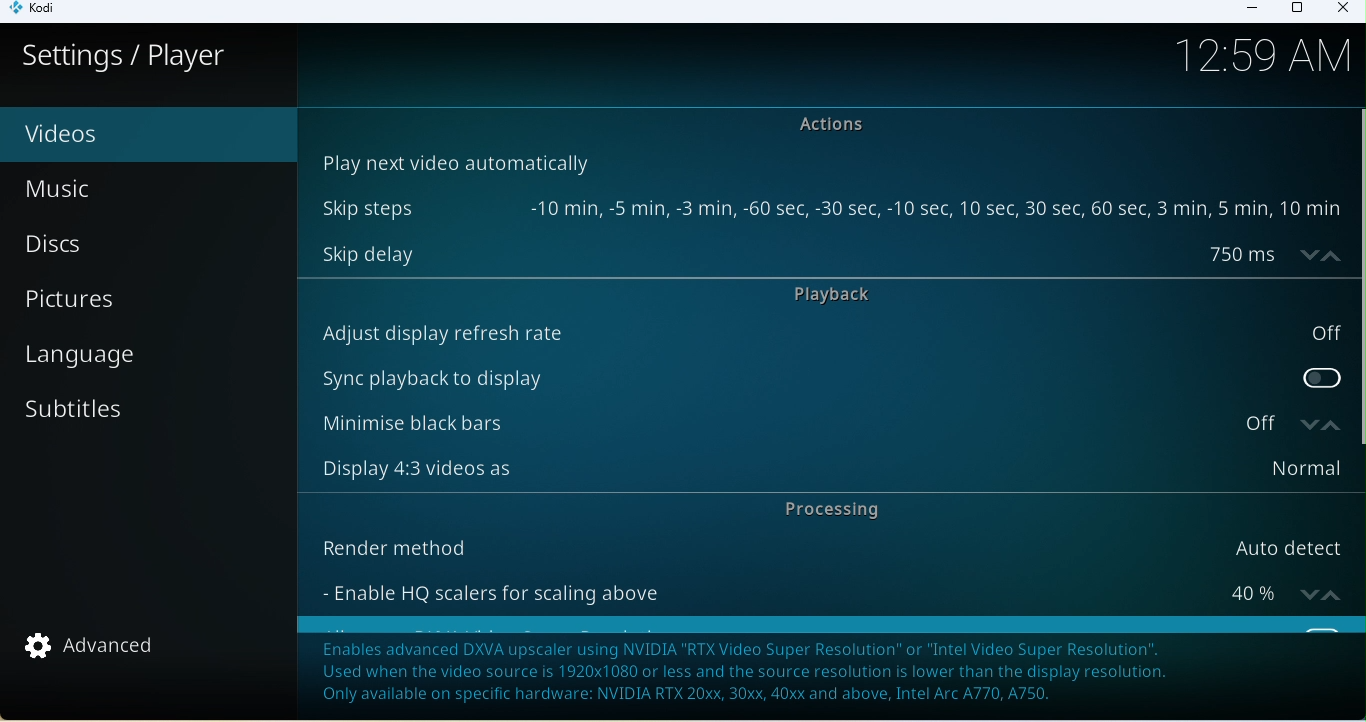 This screenshot has width=1366, height=722. I want to click on Kodi icon, so click(41, 12).